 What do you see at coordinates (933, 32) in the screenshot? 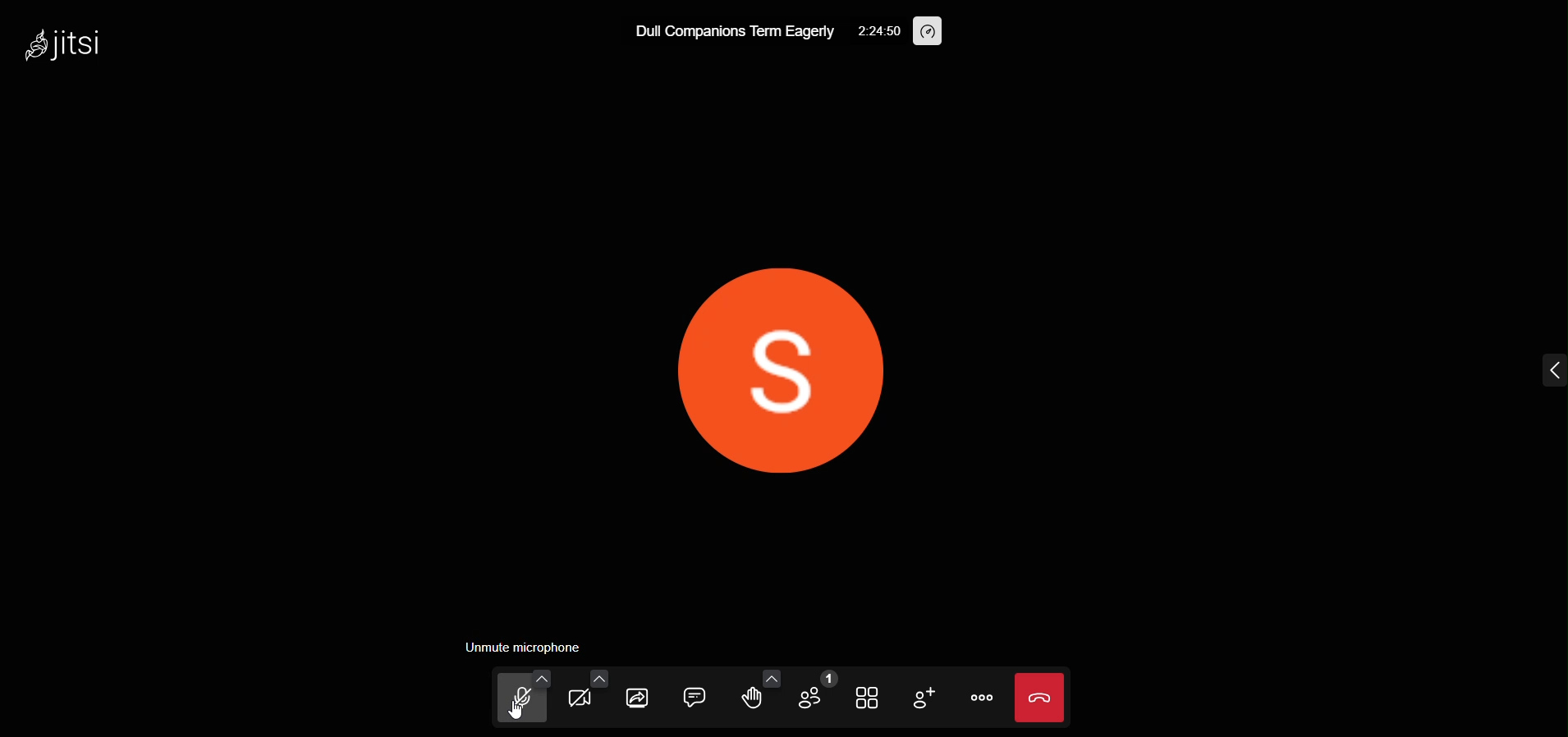
I see `performance setting` at bounding box center [933, 32].